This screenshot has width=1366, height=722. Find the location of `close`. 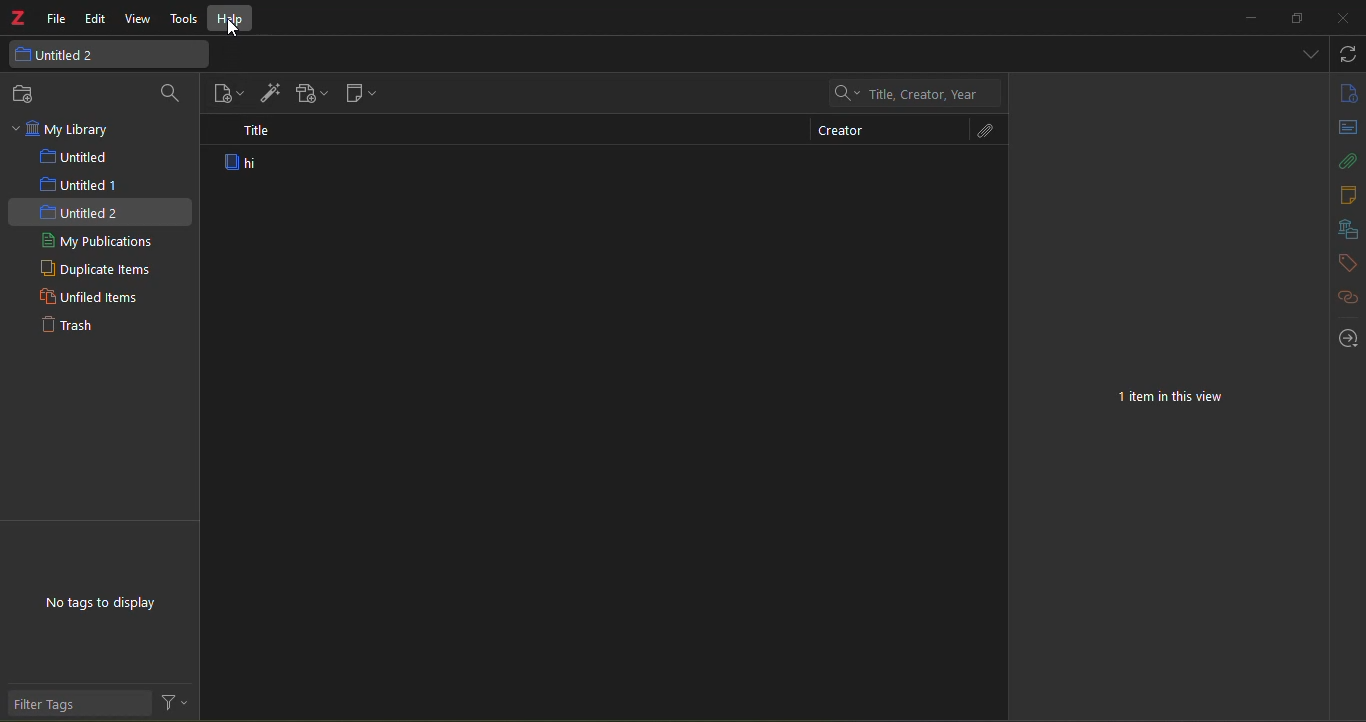

close is located at coordinates (1346, 17).